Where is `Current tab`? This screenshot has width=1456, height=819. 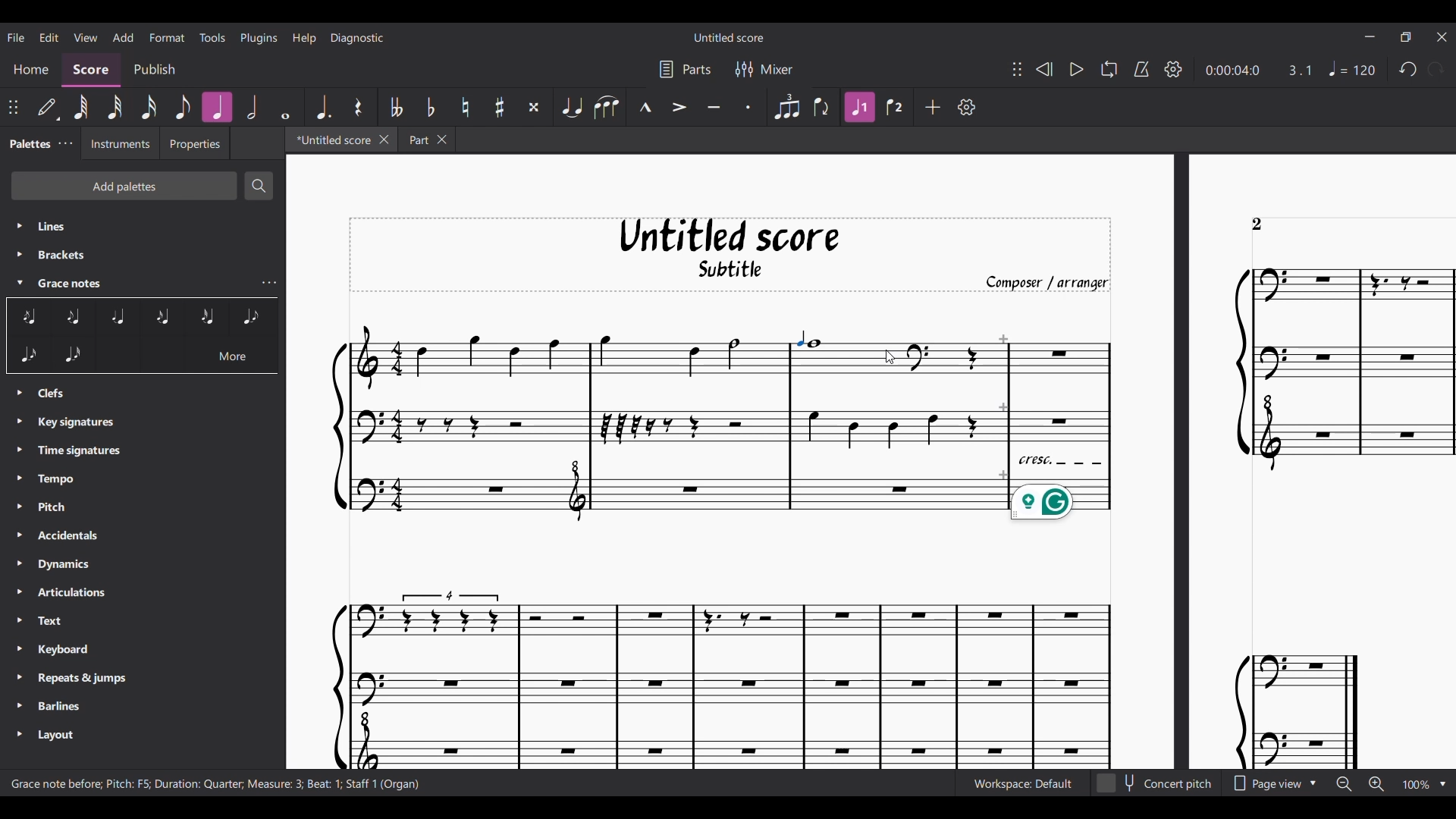 Current tab is located at coordinates (331, 140).